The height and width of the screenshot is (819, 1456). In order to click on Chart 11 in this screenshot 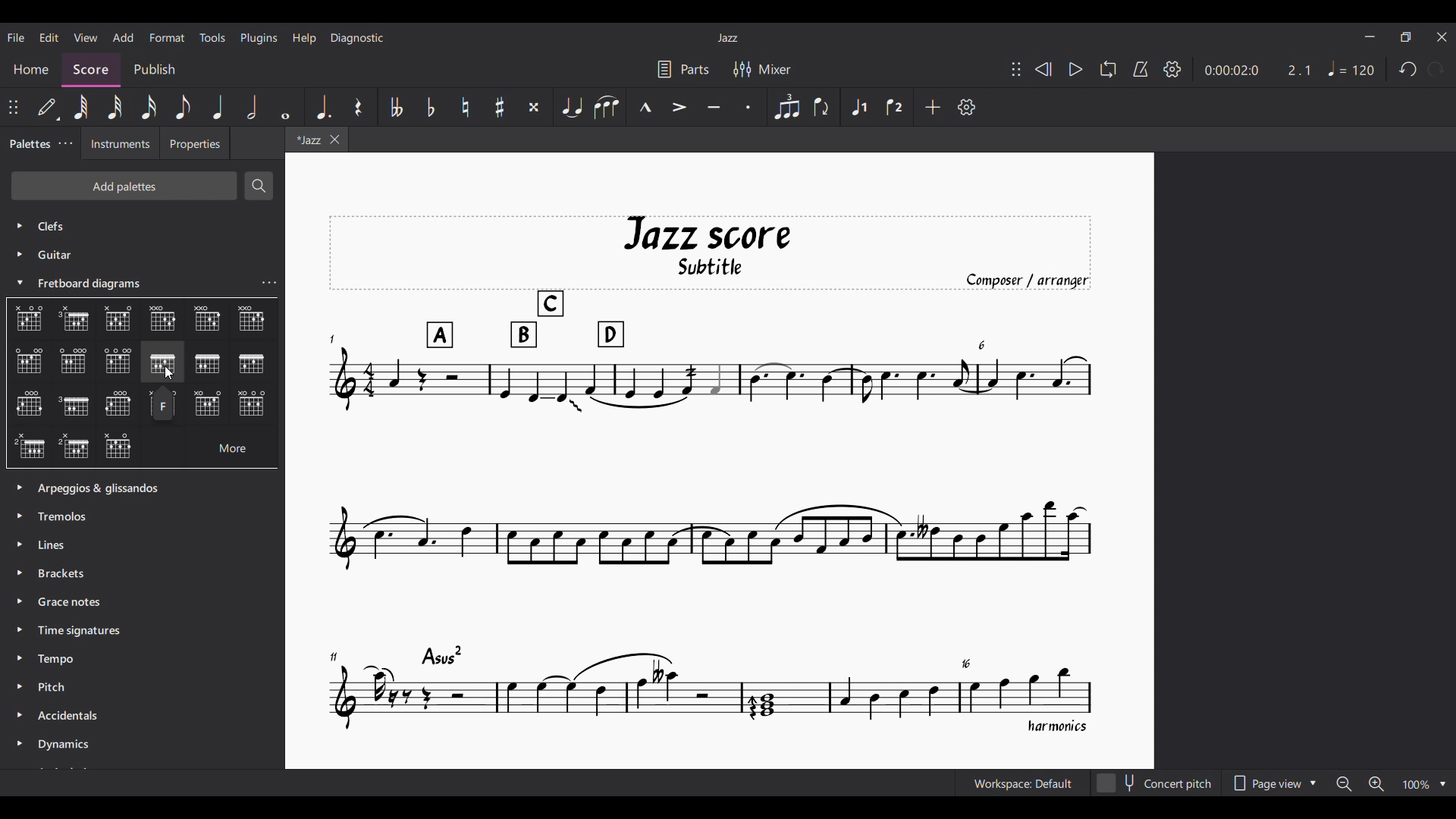, I will do `click(251, 365)`.